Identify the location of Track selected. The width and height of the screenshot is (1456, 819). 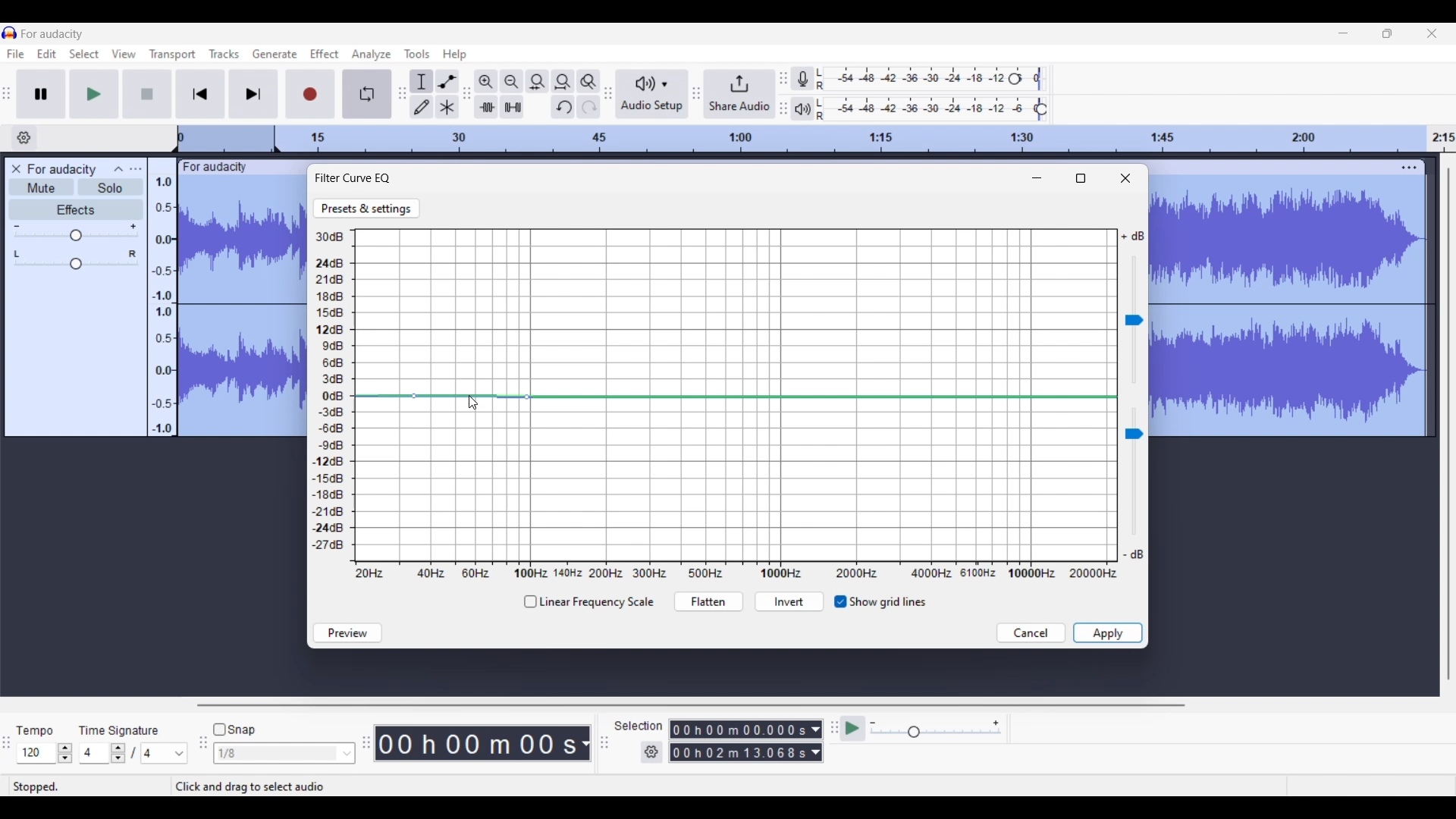
(1290, 309).